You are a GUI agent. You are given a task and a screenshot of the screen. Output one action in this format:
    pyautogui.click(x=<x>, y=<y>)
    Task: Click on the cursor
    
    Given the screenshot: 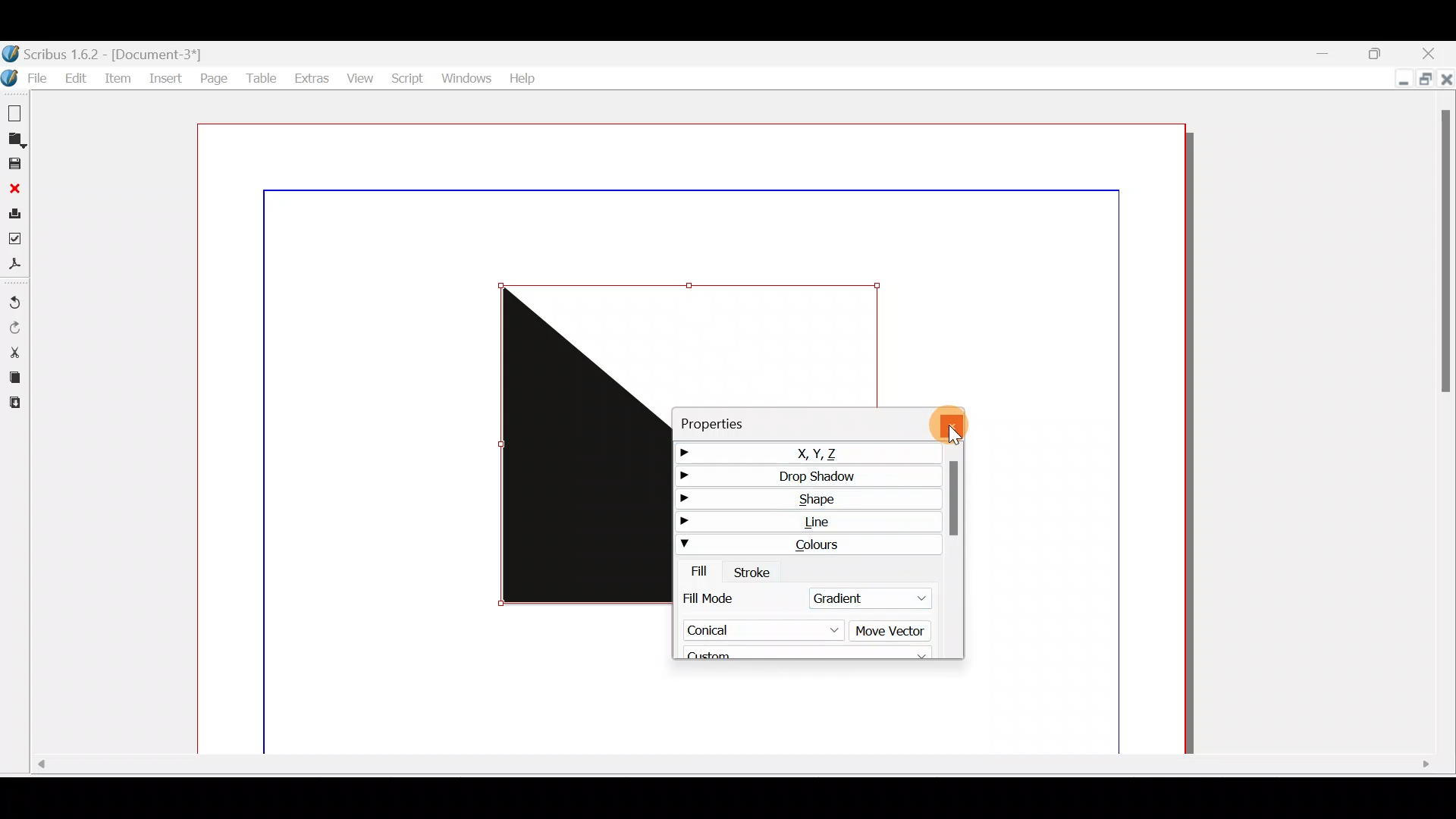 What is the action you would take?
    pyautogui.click(x=956, y=435)
    